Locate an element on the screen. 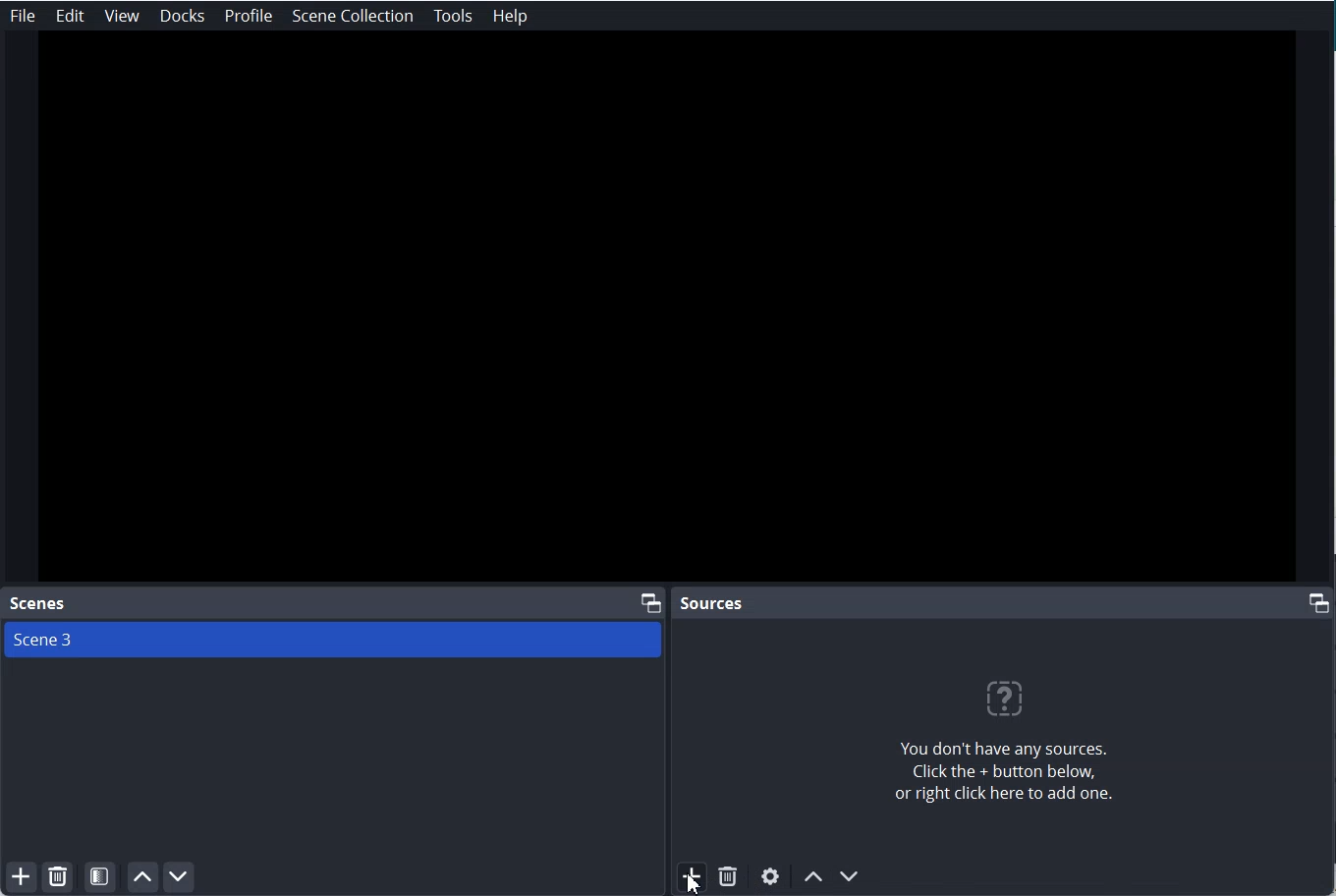  Edit is located at coordinates (71, 16).